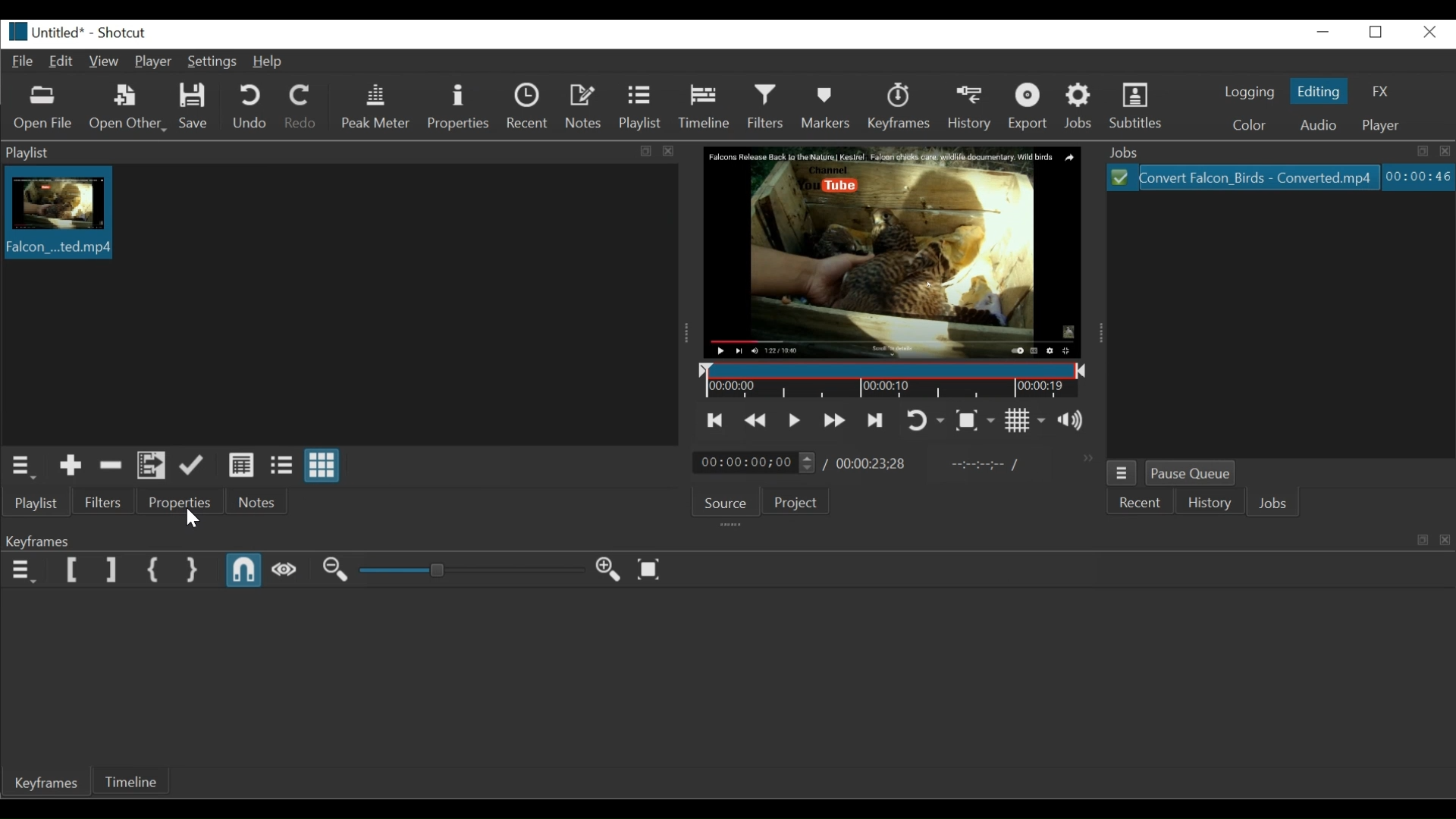 This screenshot has width=1456, height=819. I want to click on Add files to the playlist, so click(151, 466).